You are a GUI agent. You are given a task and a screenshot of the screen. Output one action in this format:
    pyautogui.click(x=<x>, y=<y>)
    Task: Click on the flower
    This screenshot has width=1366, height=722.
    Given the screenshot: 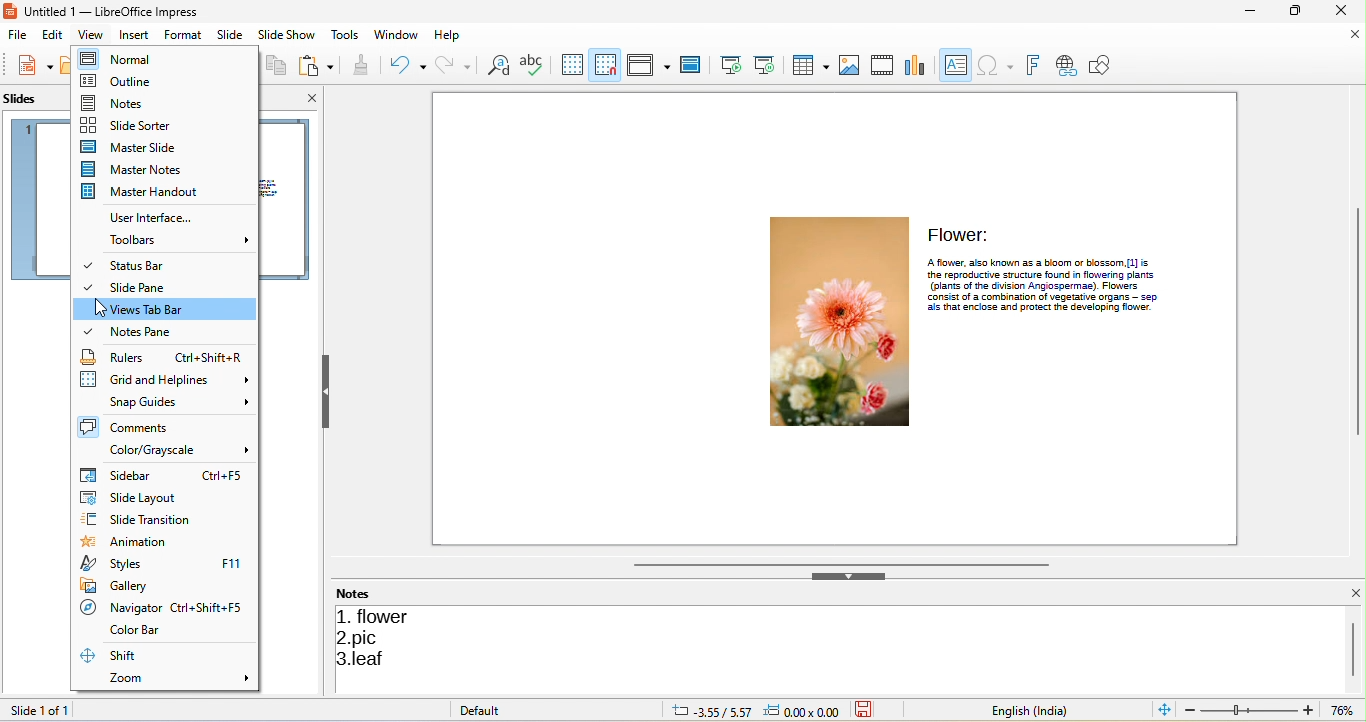 What is the action you would take?
    pyautogui.click(x=379, y=615)
    